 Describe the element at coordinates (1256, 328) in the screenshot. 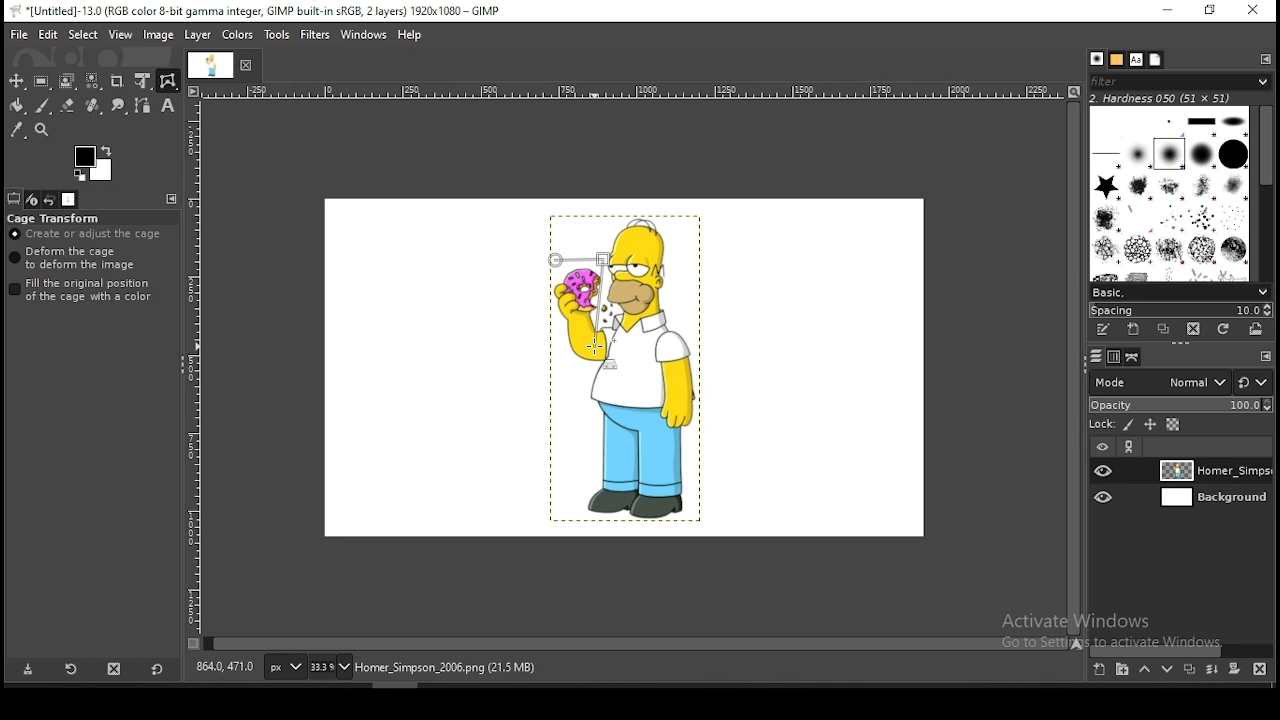

I see `open brush as image` at that location.